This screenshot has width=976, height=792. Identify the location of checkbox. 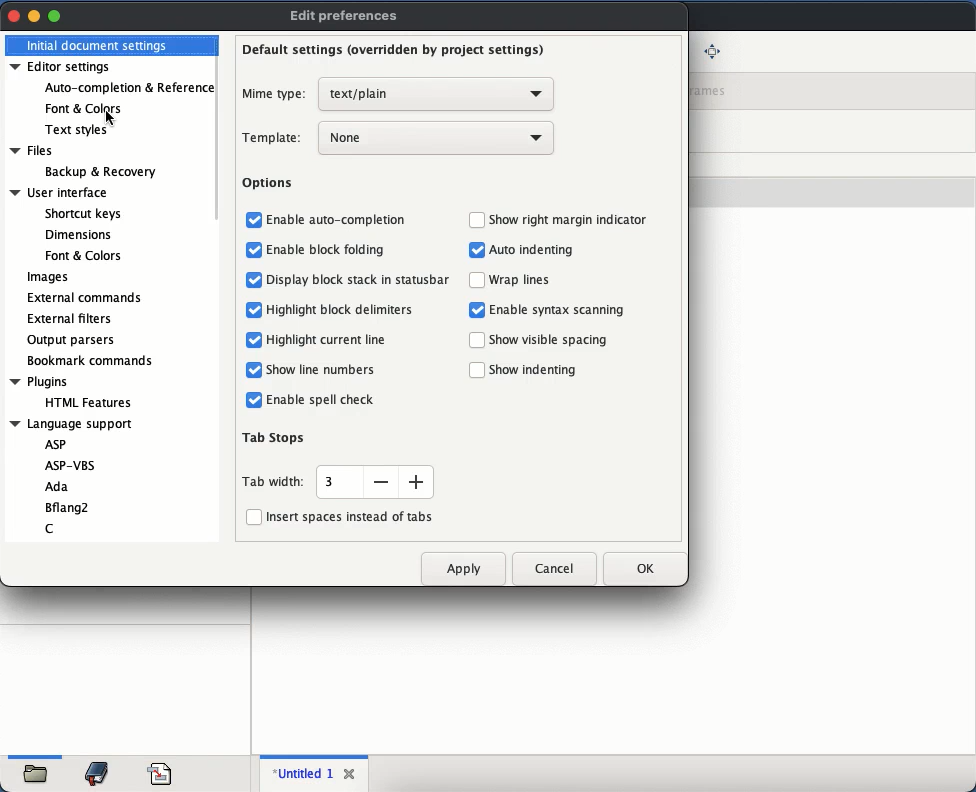
(475, 220).